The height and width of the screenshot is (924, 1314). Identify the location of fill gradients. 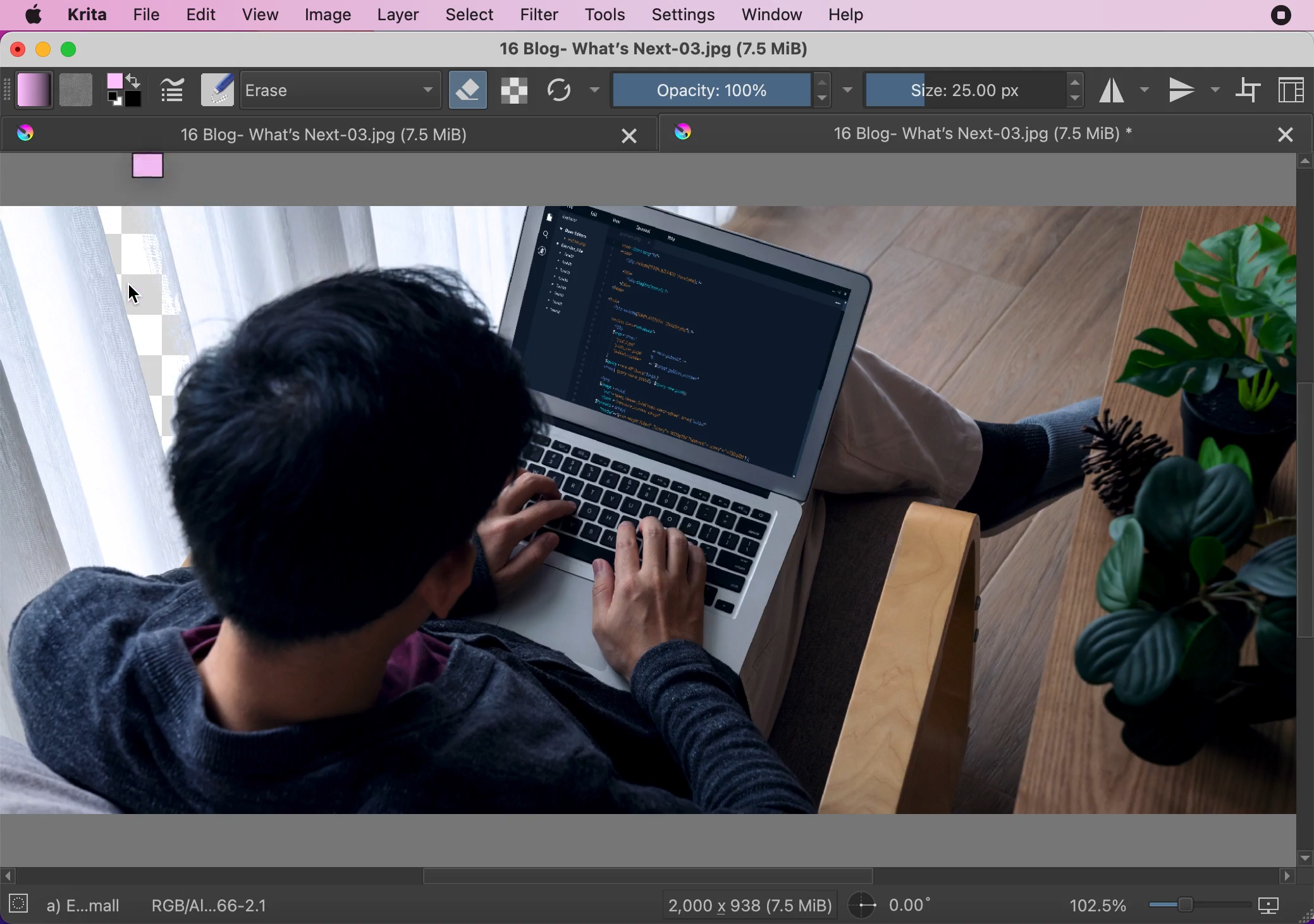
(35, 90).